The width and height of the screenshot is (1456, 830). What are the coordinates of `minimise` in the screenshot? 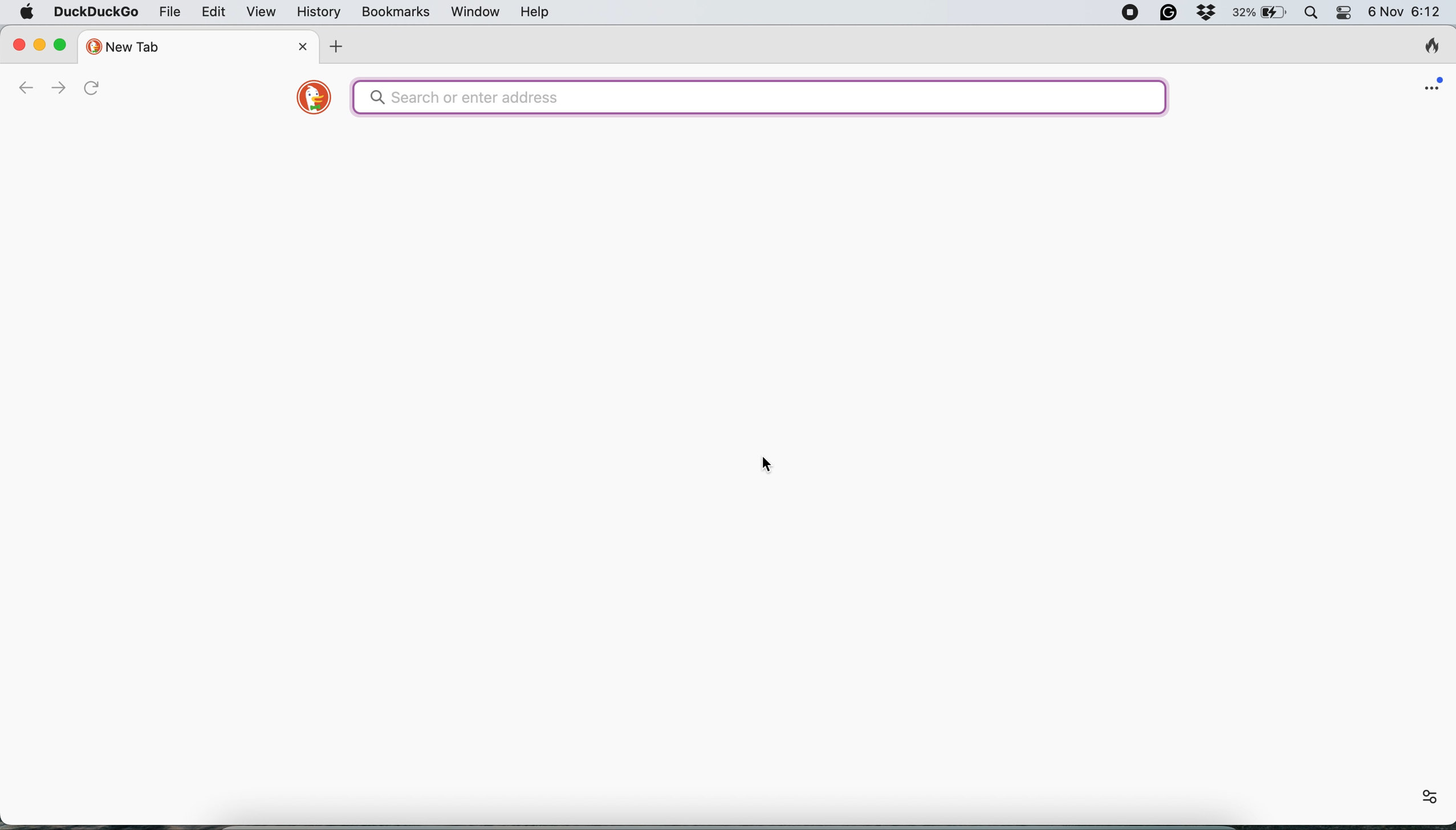 It's located at (39, 43).